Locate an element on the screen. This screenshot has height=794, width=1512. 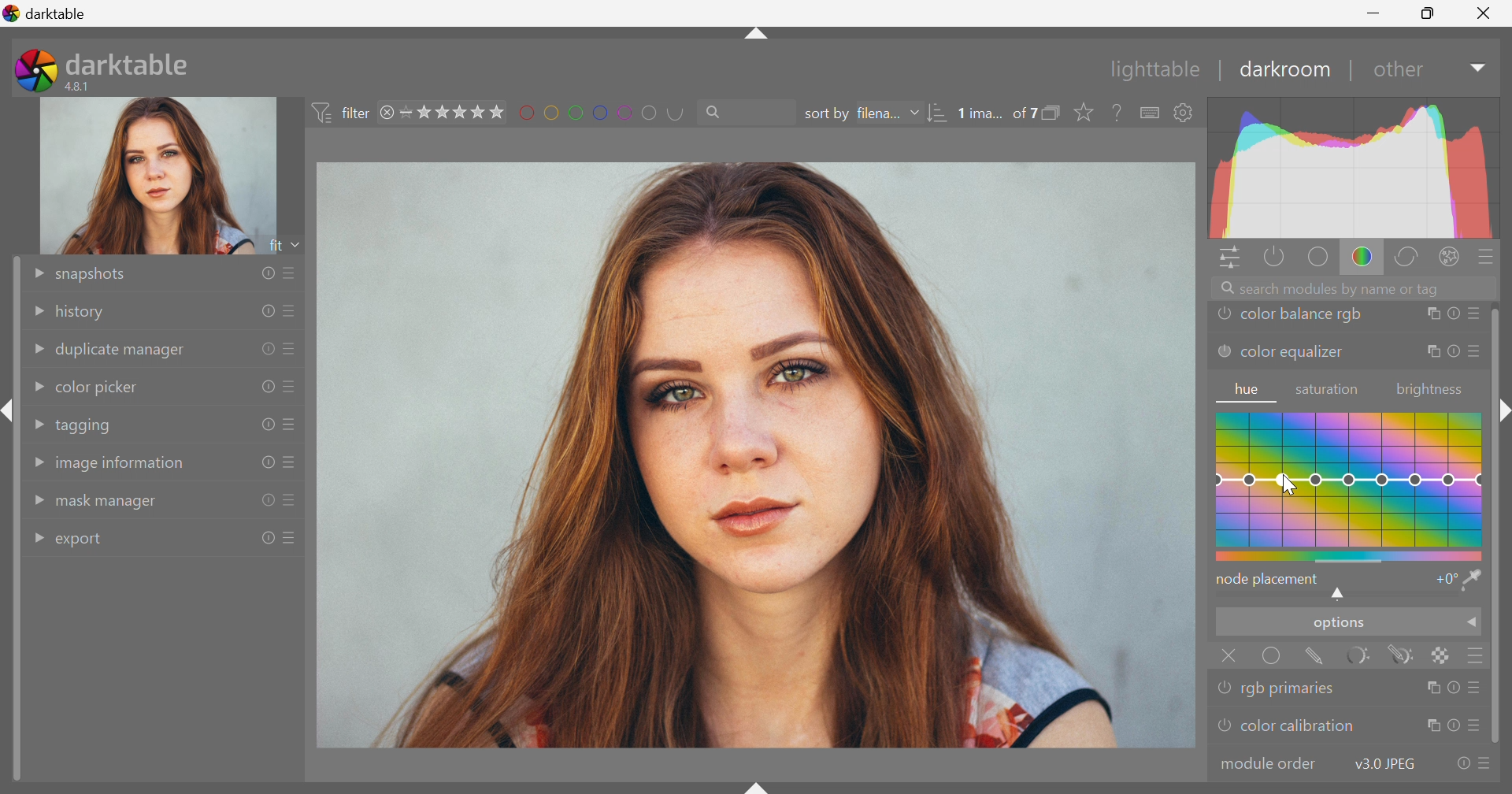
Drop Down is located at coordinates (1473, 625).